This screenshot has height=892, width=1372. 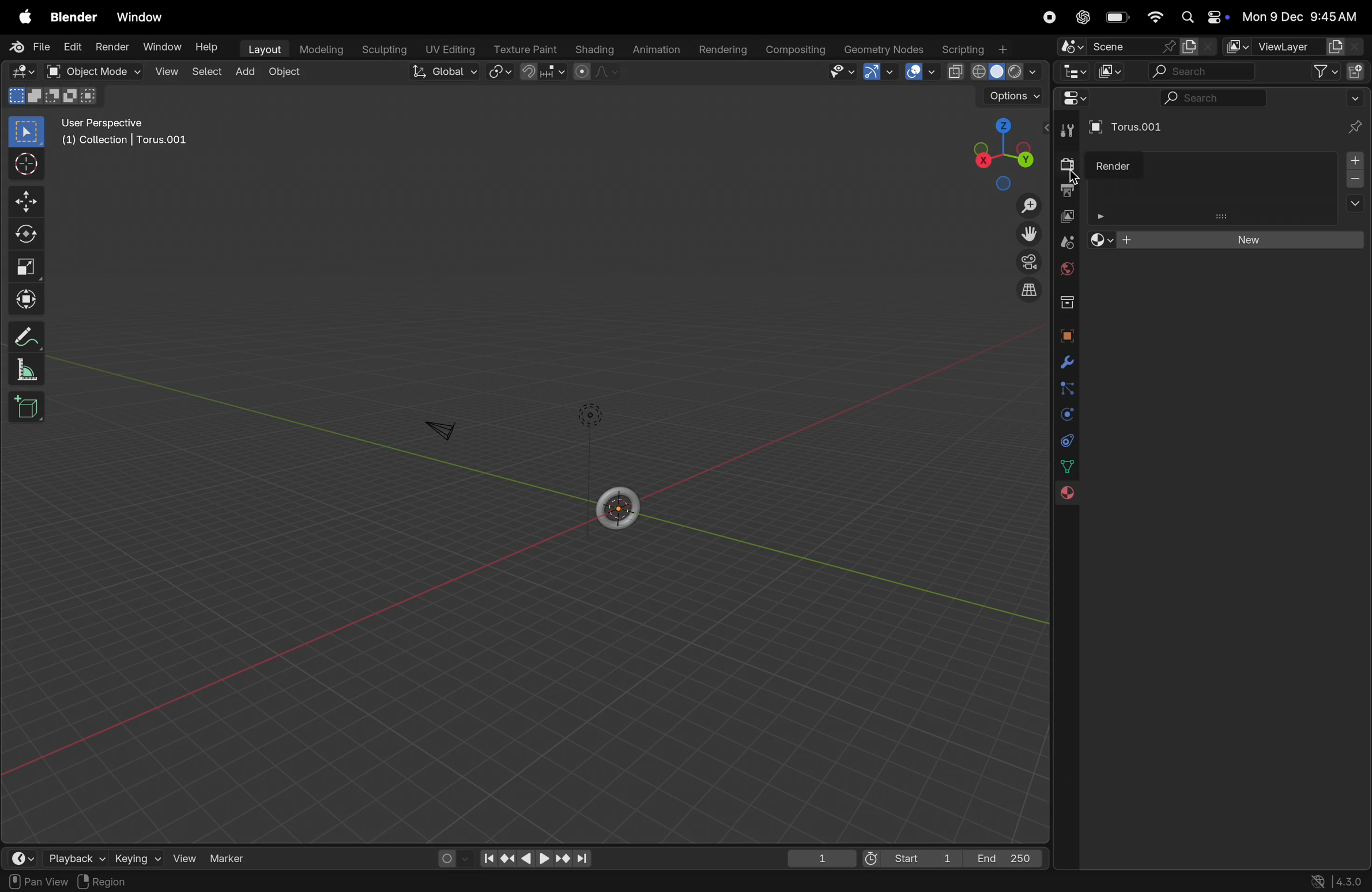 I want to click on pins, so click(x=1356, y=127).